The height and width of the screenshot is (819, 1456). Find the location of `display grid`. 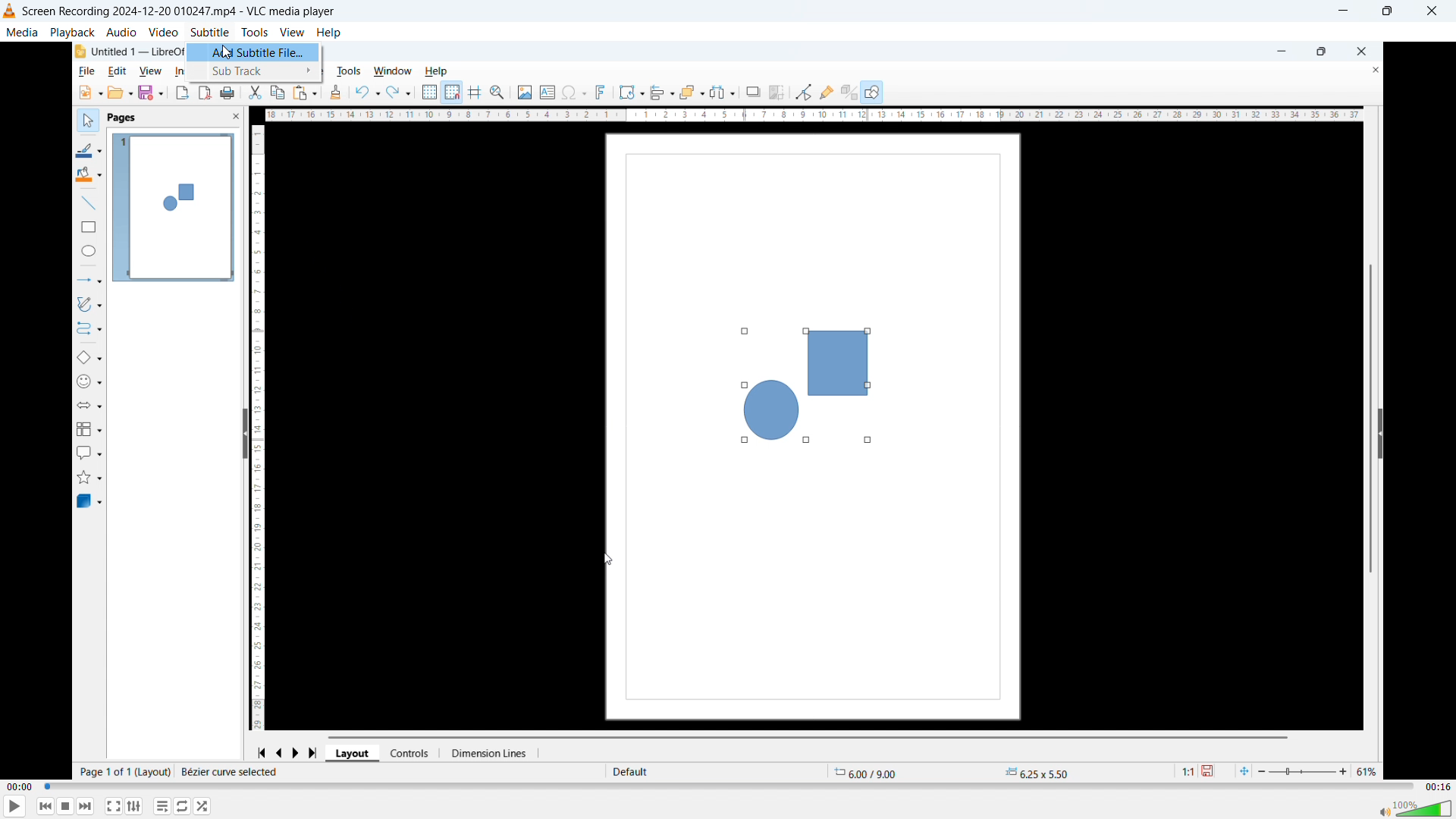

display grid is located at coordinates (430, 93).